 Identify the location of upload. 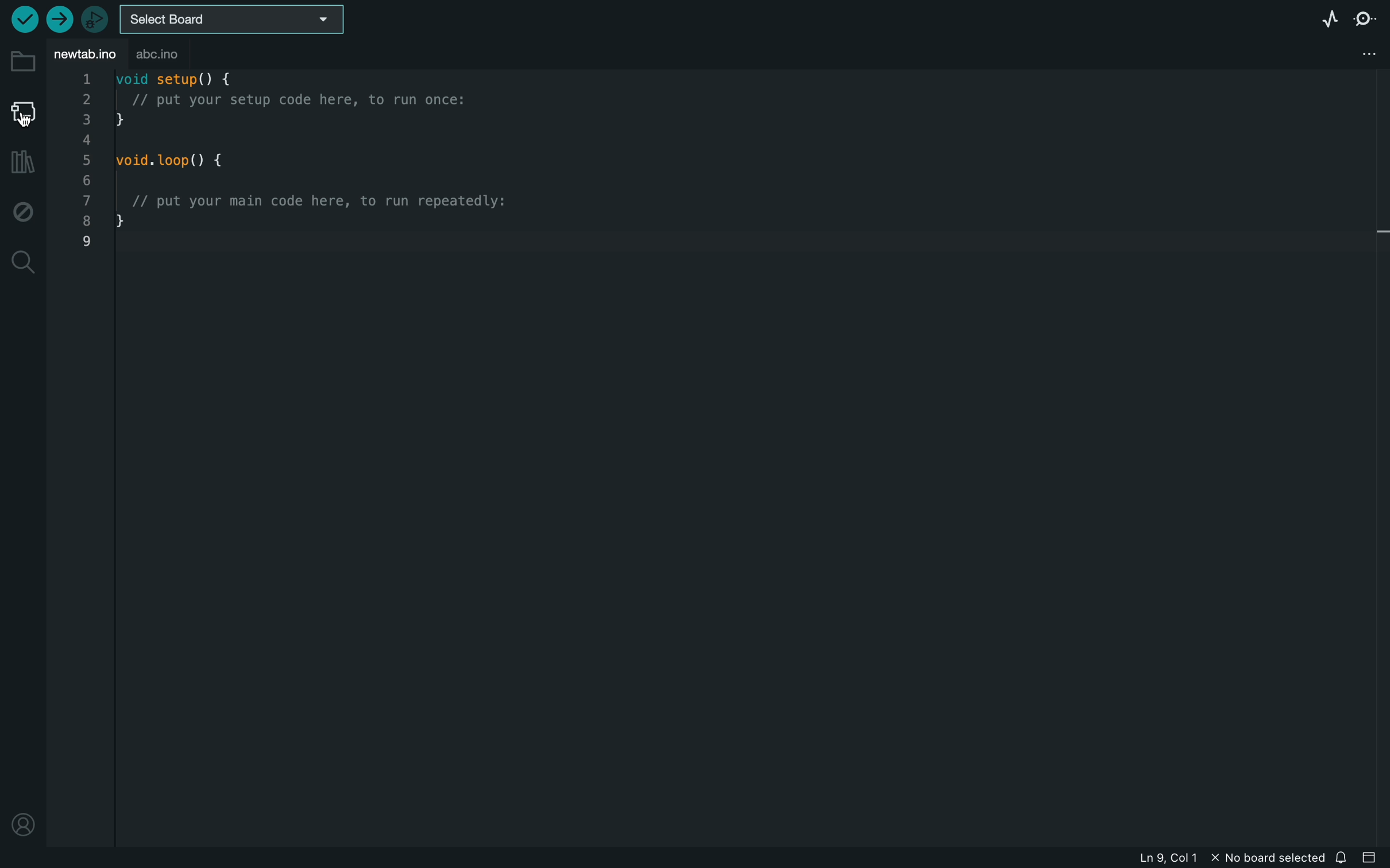
(57, 16).